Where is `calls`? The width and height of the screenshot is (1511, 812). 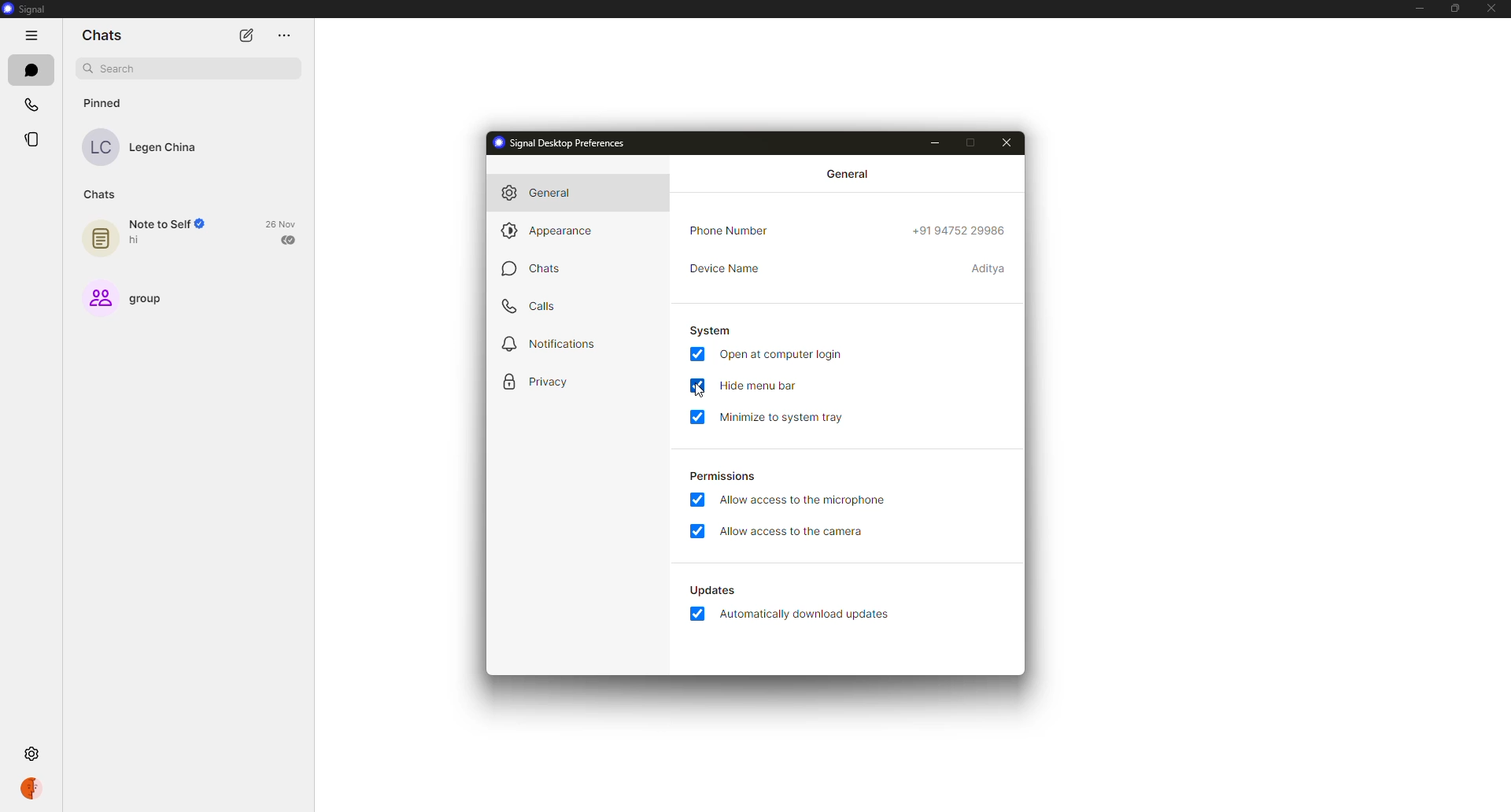 calls is located at coordinates (31, 104).